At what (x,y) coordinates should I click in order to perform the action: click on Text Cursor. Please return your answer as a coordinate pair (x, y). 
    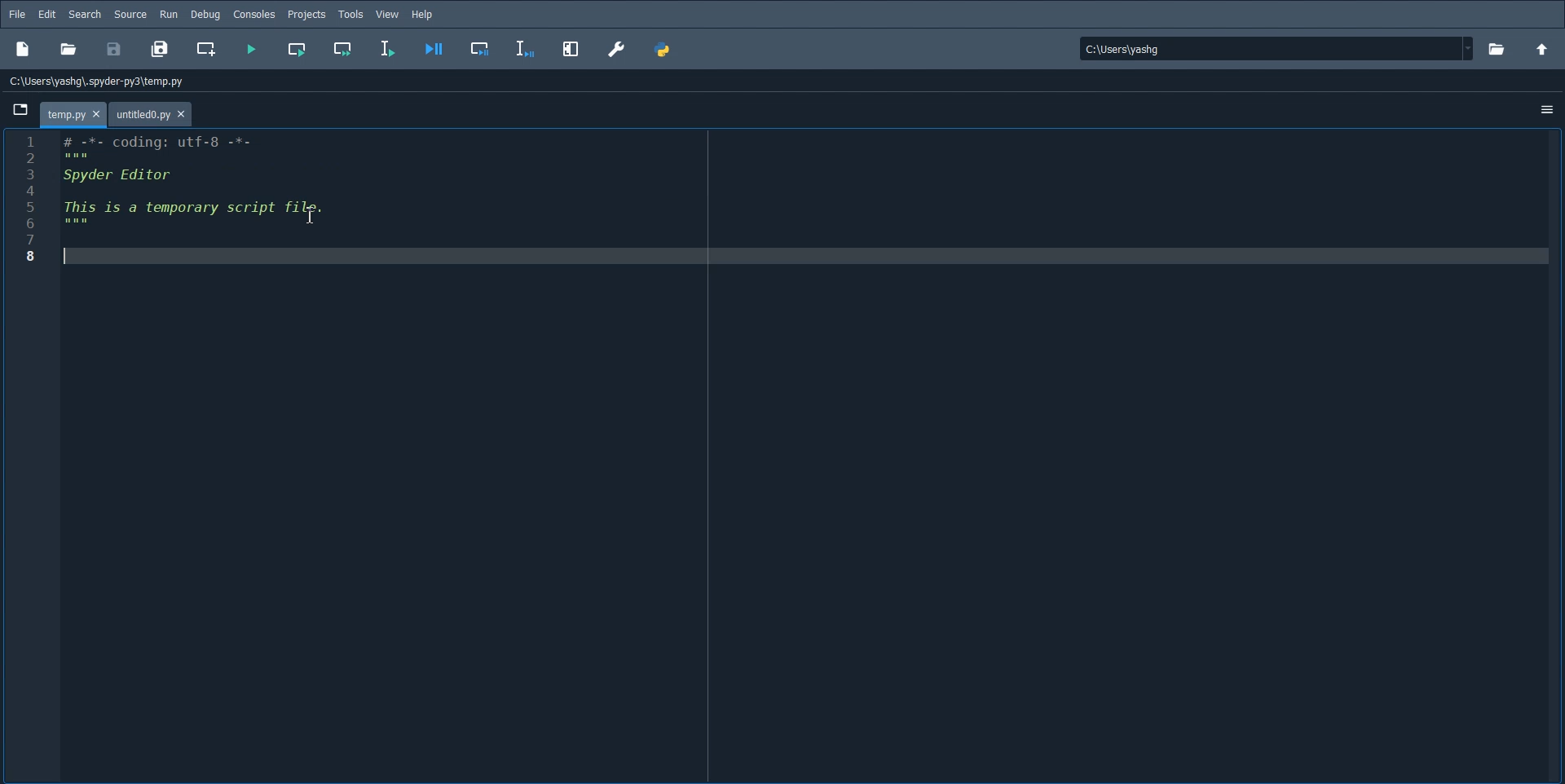
    Looking at the image, I should click on (311, 216).